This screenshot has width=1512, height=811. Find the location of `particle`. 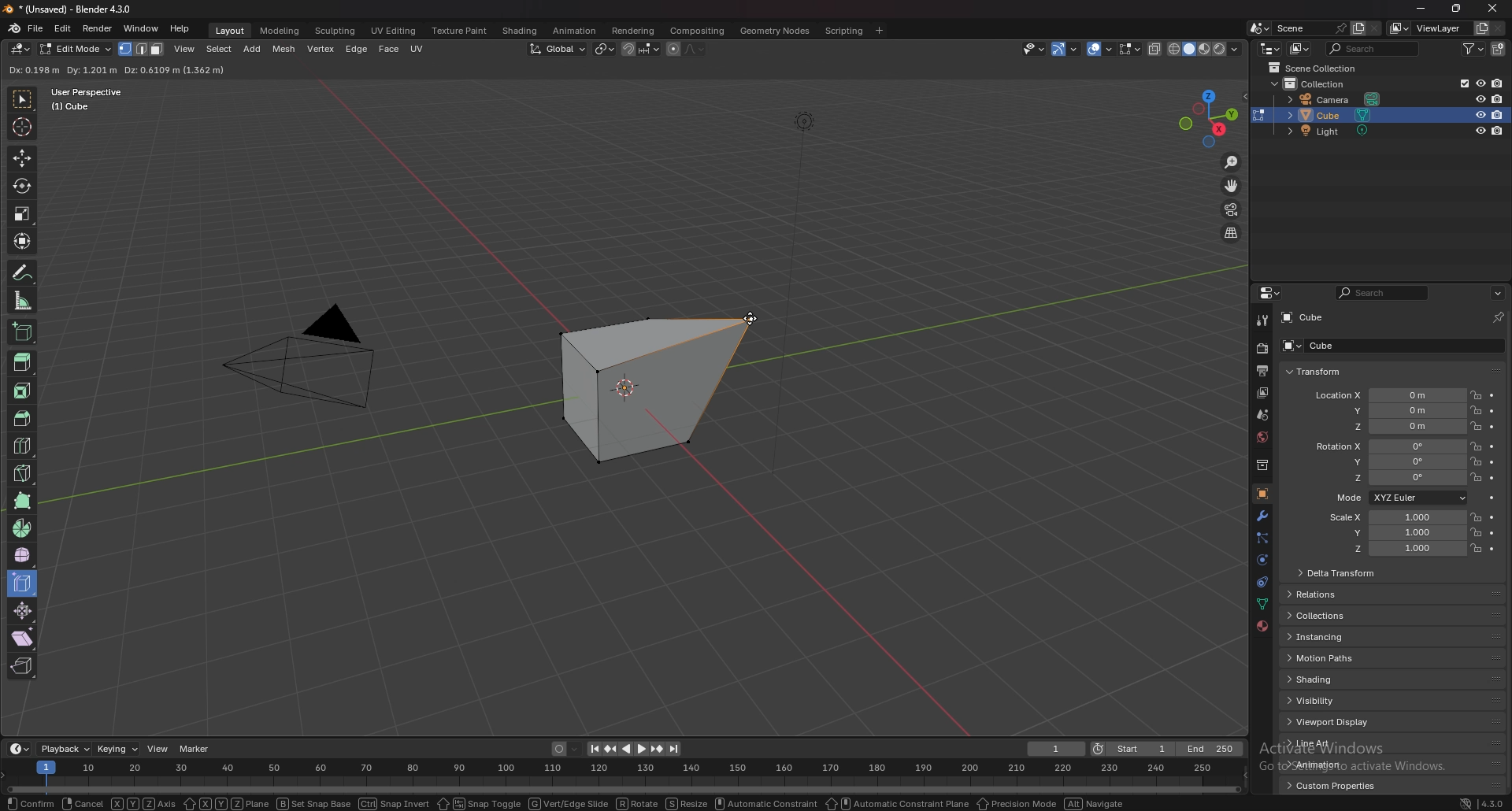

particle is located at coordinates (1262, 539).